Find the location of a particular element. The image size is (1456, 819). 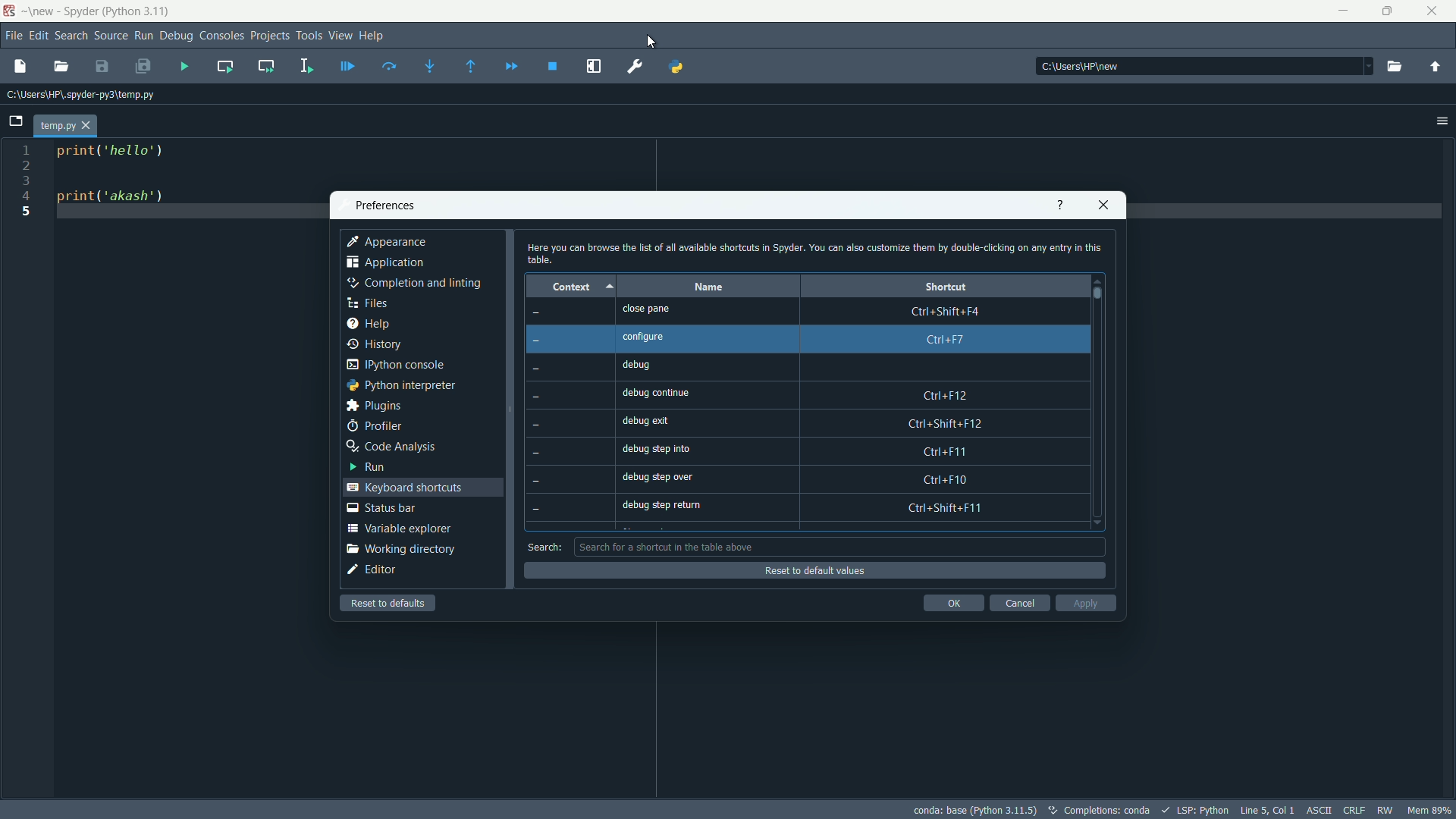

run selection is located at coordinates (304, 67).